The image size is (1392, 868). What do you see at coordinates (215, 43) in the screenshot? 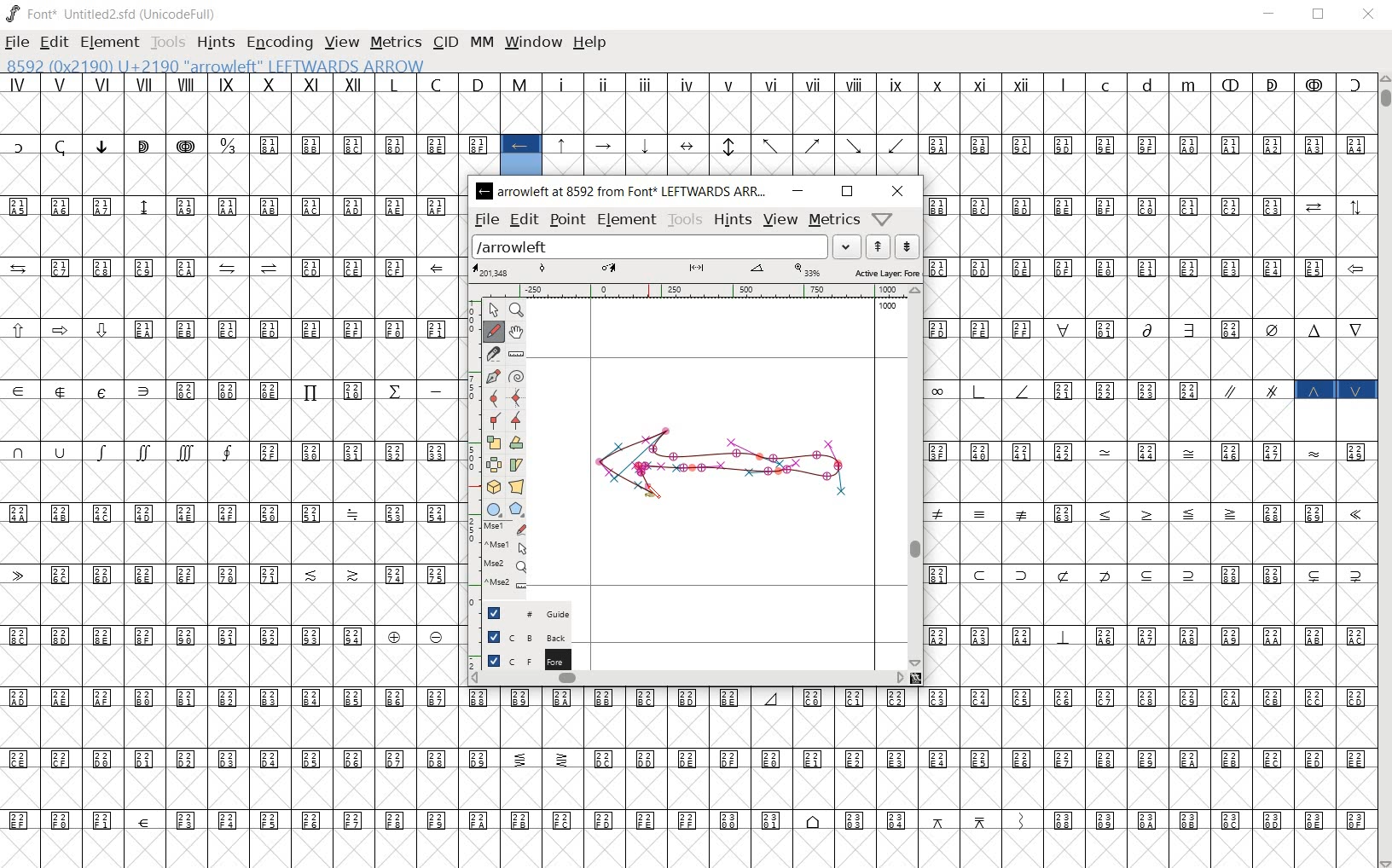
I see `hints` at bounding box center [215, 43].